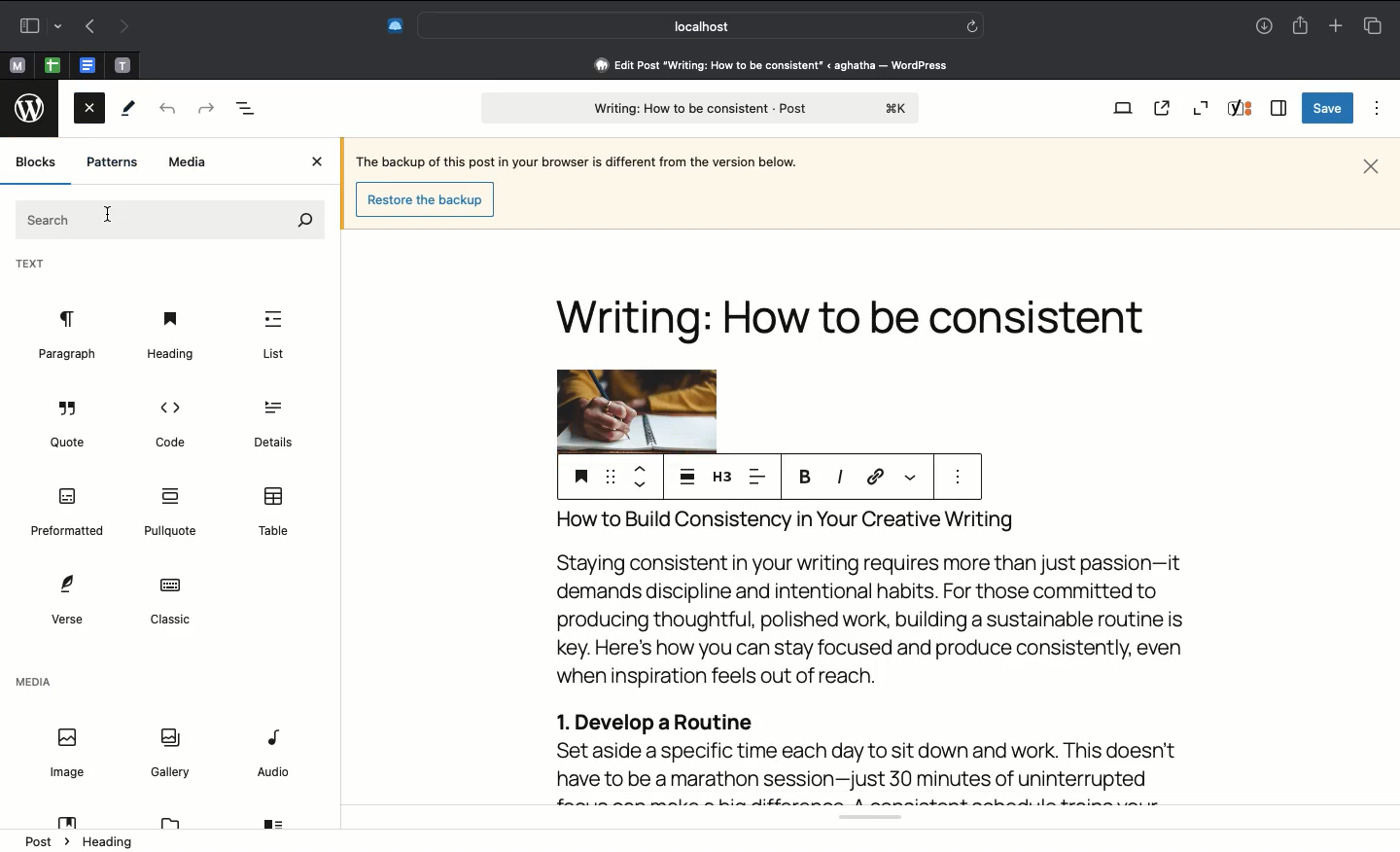 The image size is (1400, 852). I want to click on Wordpress, so click(33, 107).